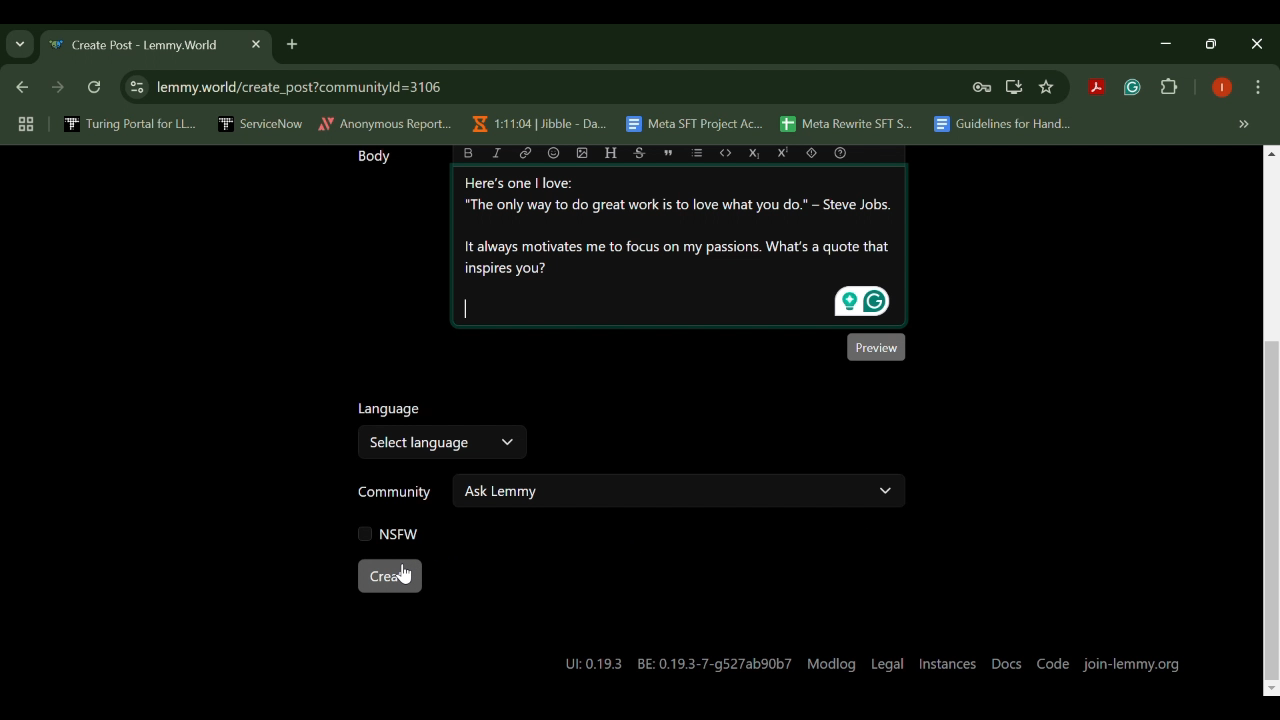 The height and width of the screenshot is (720, 1280). I want to click on formatting help, so click(839, 153).